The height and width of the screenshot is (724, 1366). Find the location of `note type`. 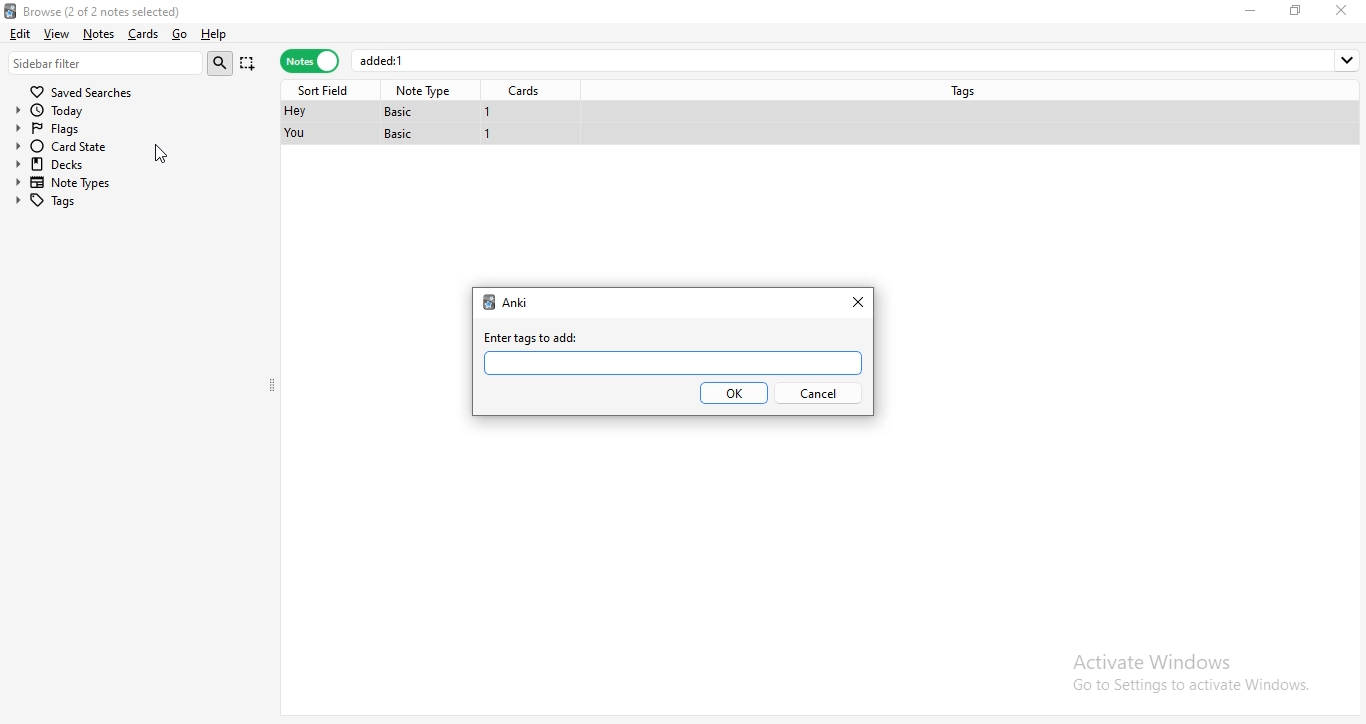

note type is located at coordinates (426, 91).